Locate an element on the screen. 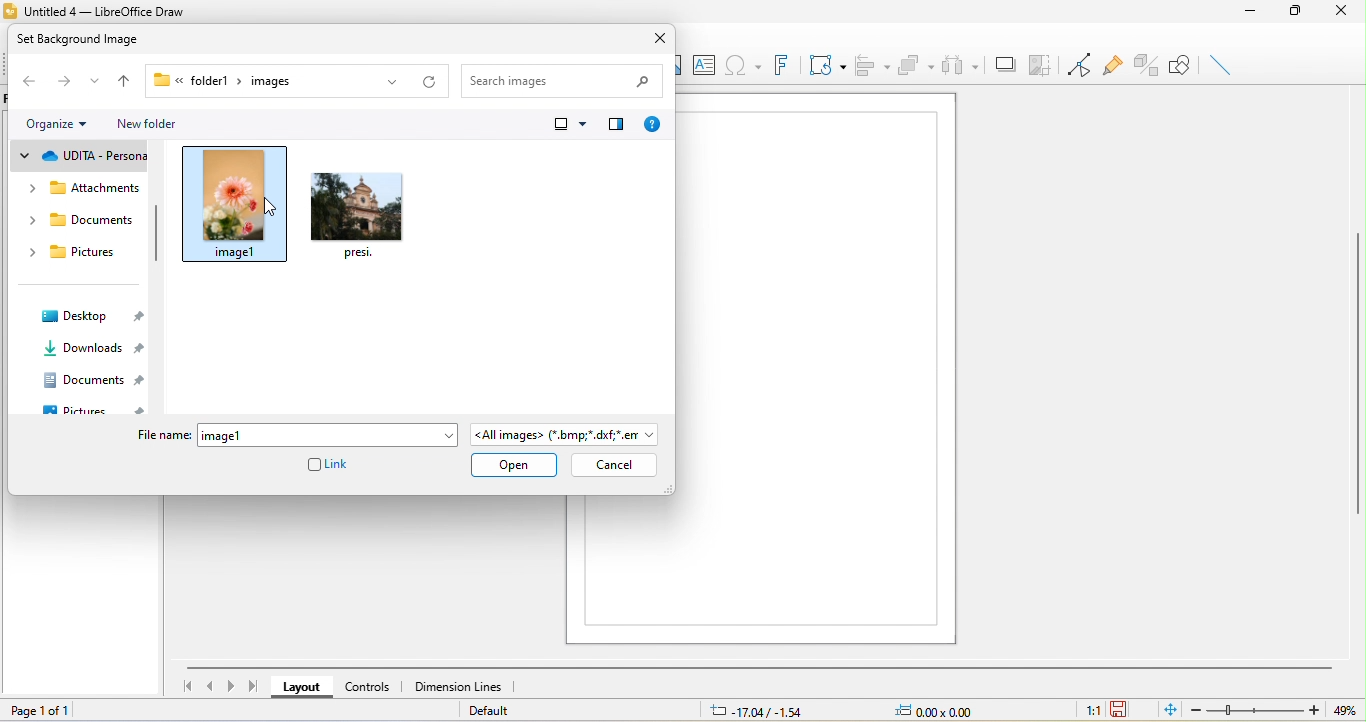 Image resolution: width=1366 pixels, height=722 pixels. pictures is located at coordinates (91, 413).